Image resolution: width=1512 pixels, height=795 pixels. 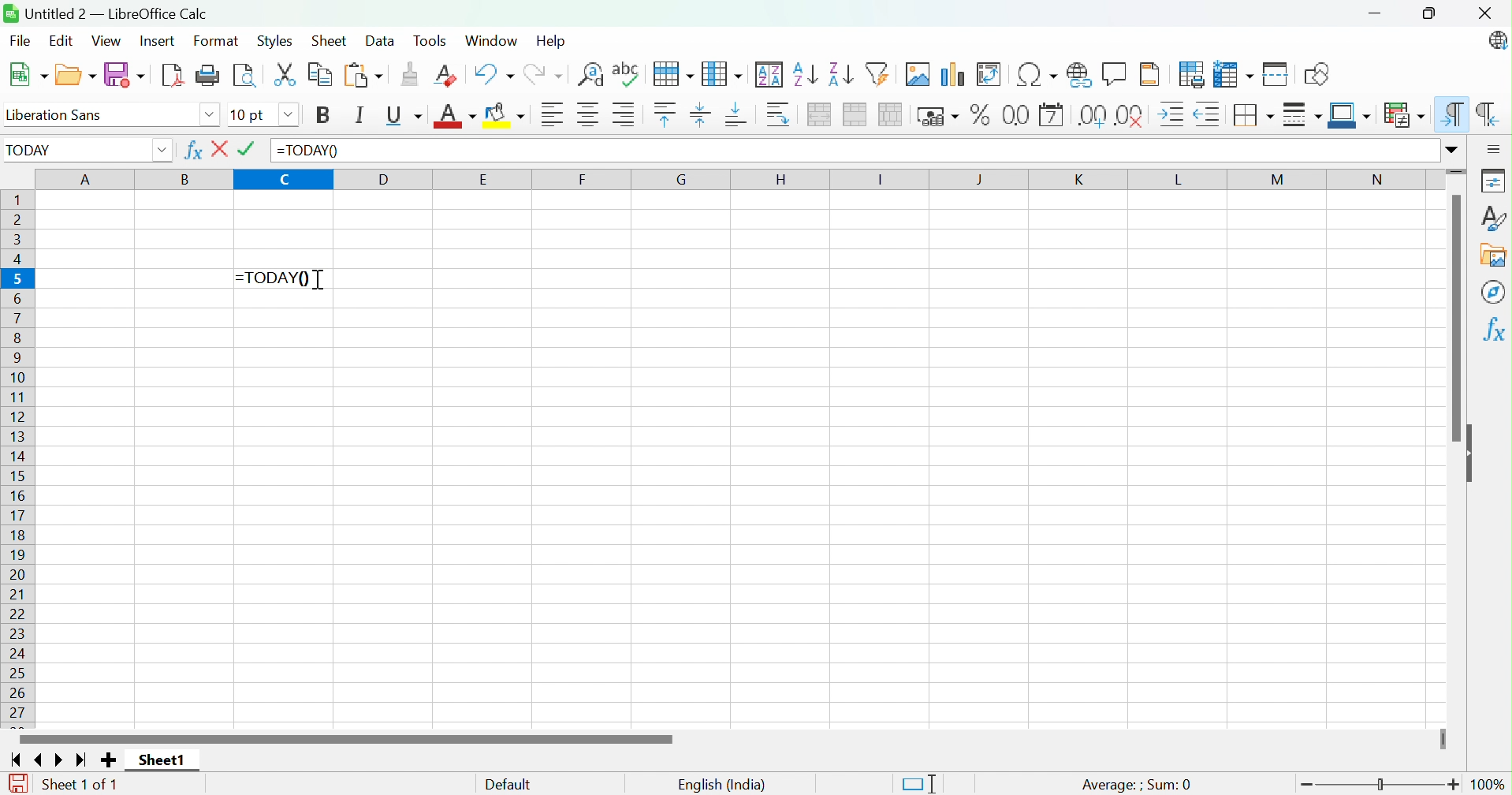 What do you see at coordinates (881, 74) in the screenshot?
I see `Autofilter` at bounding box center [881, 74].